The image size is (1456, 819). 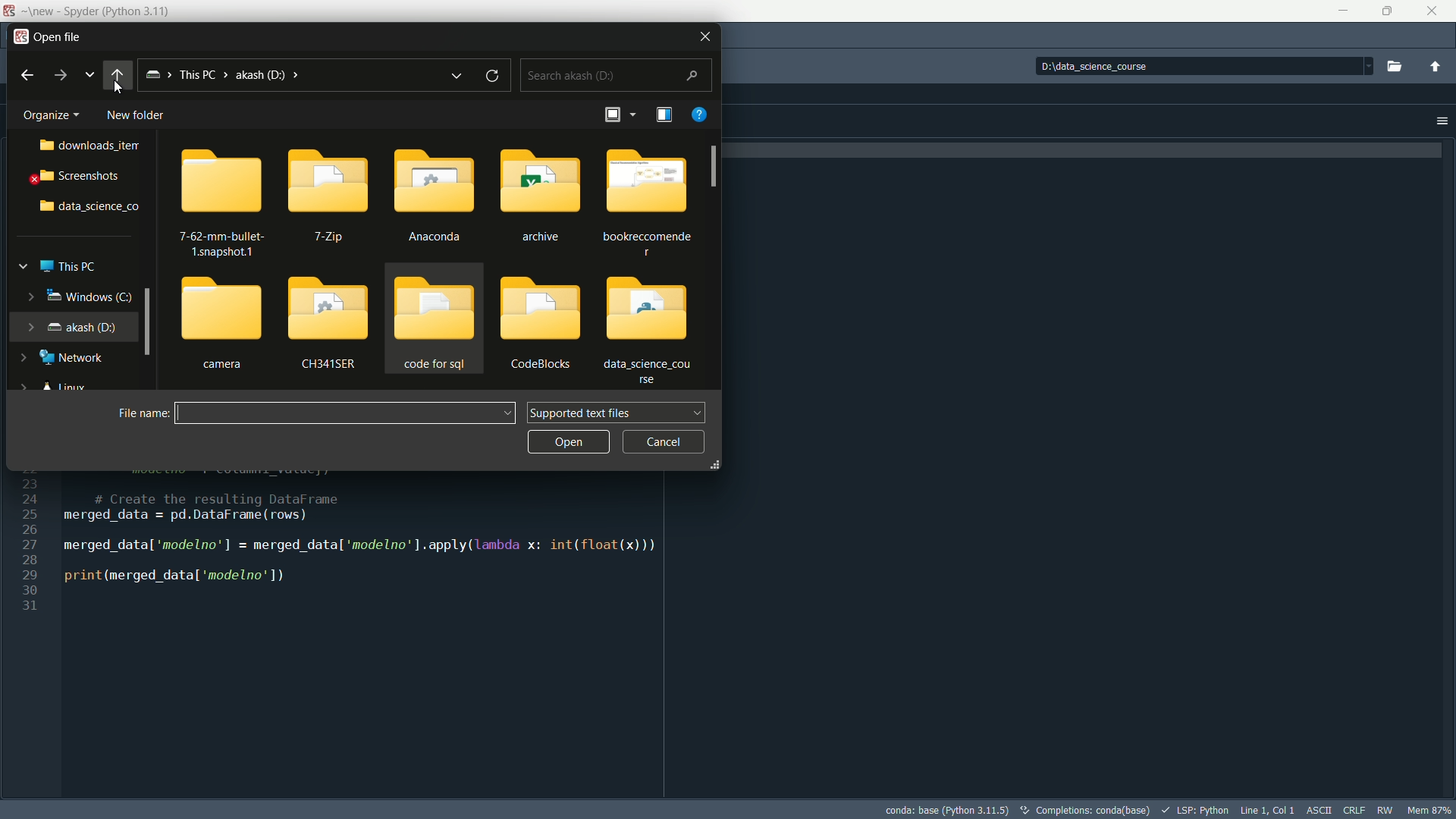 What do you see at coordinates (1344, 10) in the screenshot?
I see `minimize` at bounding box center [1344, 10].